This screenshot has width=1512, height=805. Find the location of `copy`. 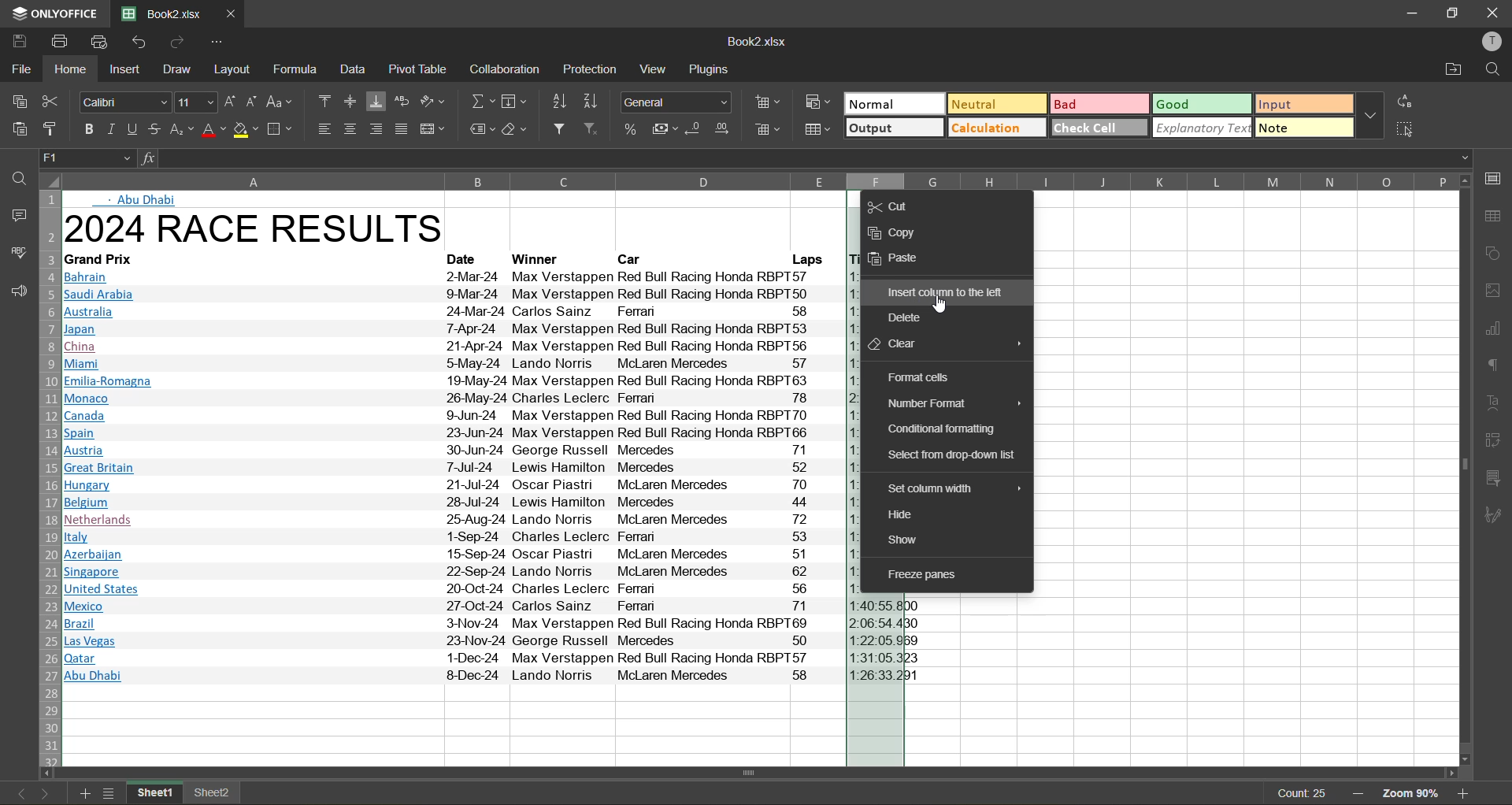

copy is located at coordinates (902, 232).